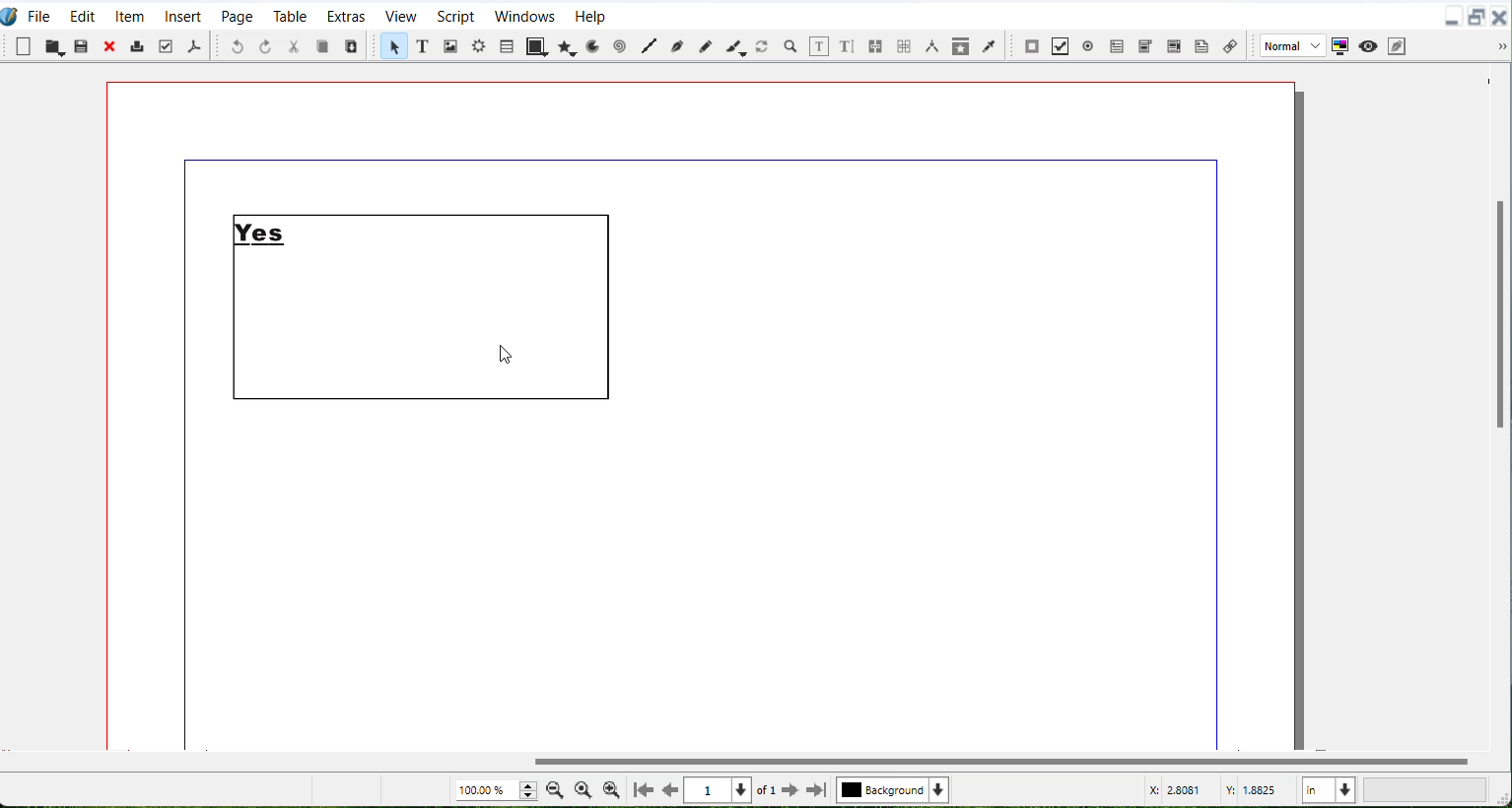  Describe the element at coordinates (1329, 788) in the screenshot. I see `Measurement in Inches` at that location.